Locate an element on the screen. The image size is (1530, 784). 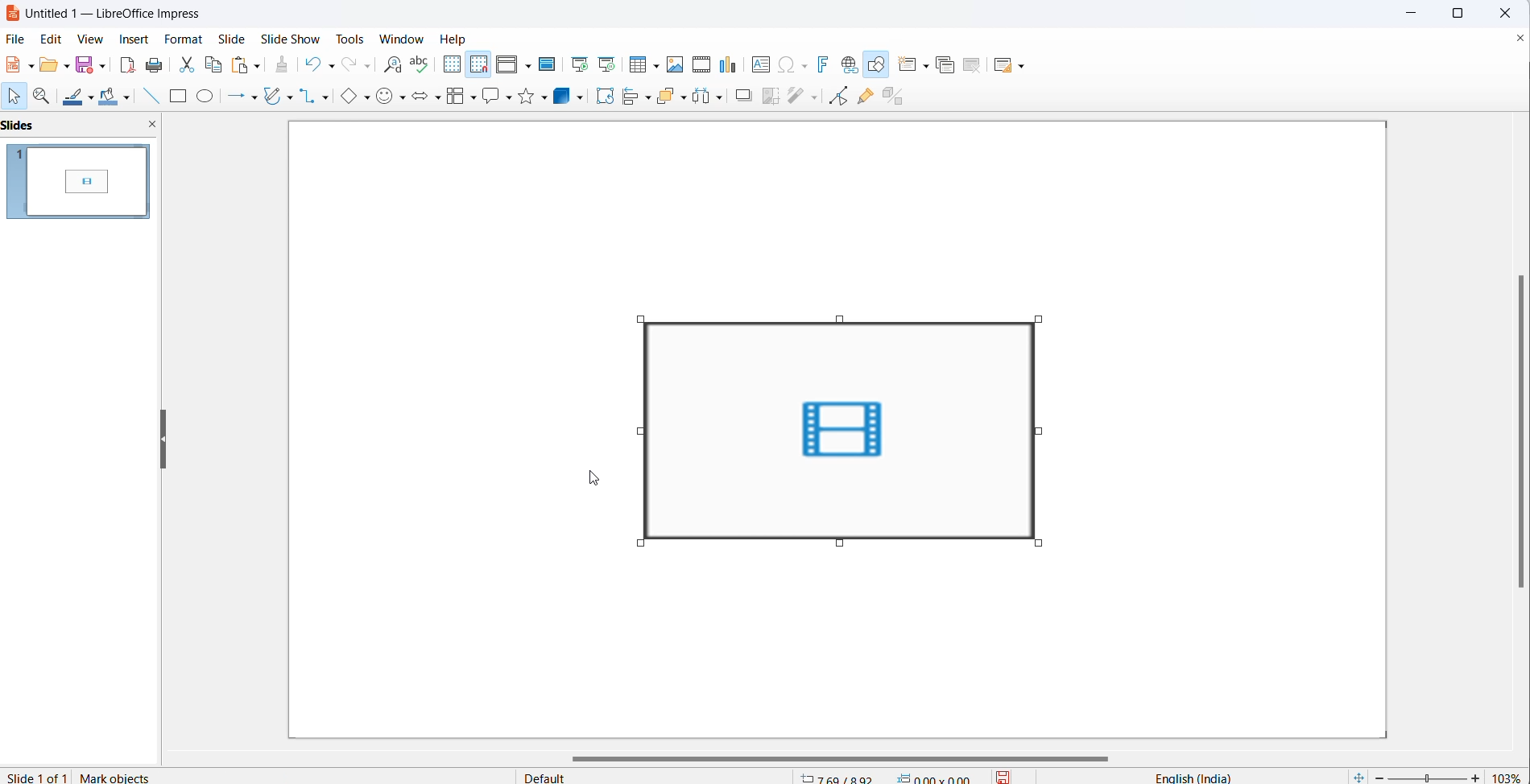
selection markup is located at coordinates (639, 544).